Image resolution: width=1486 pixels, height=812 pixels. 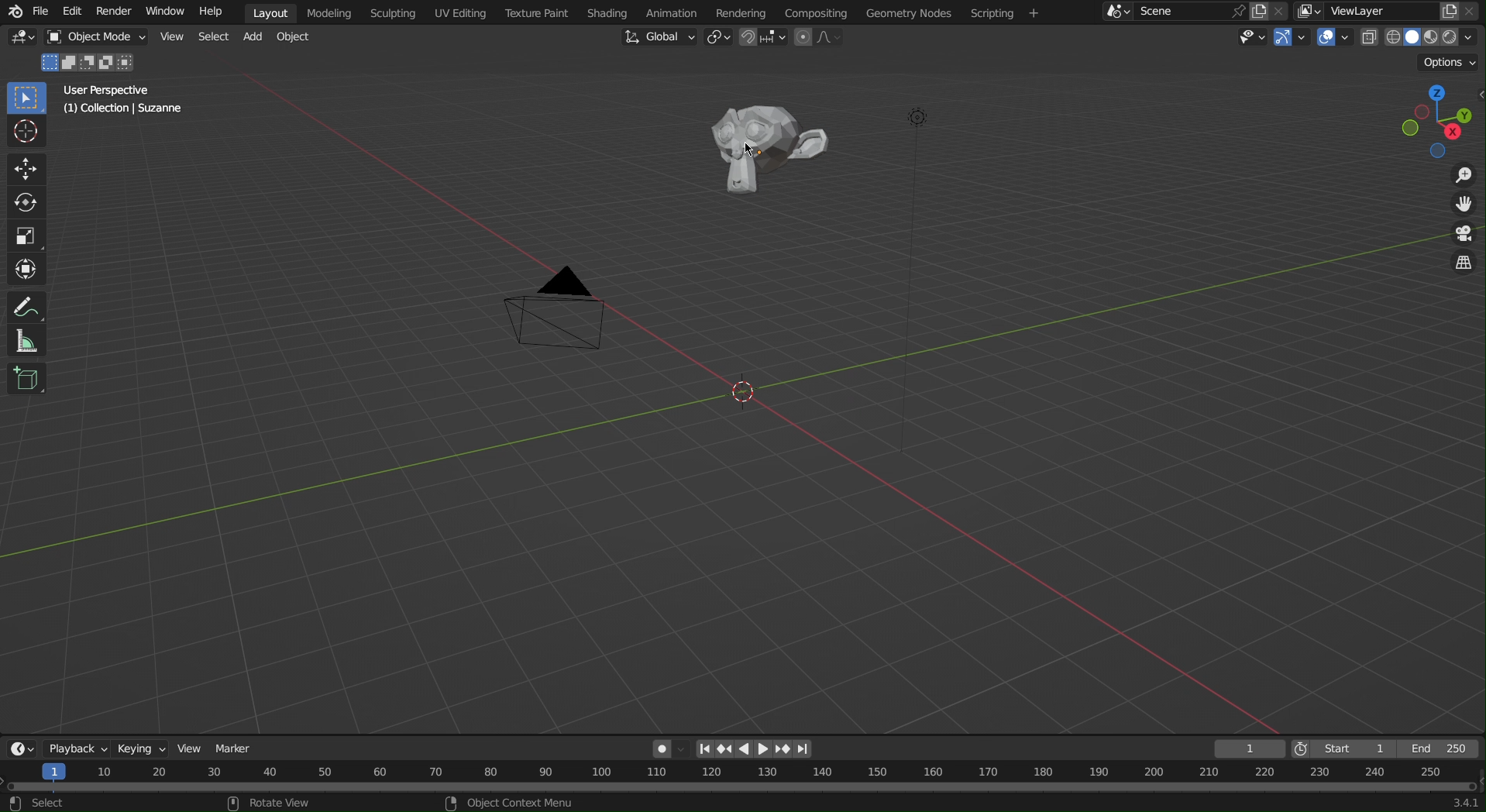 I want to click on View, so click(x=190, y=748).